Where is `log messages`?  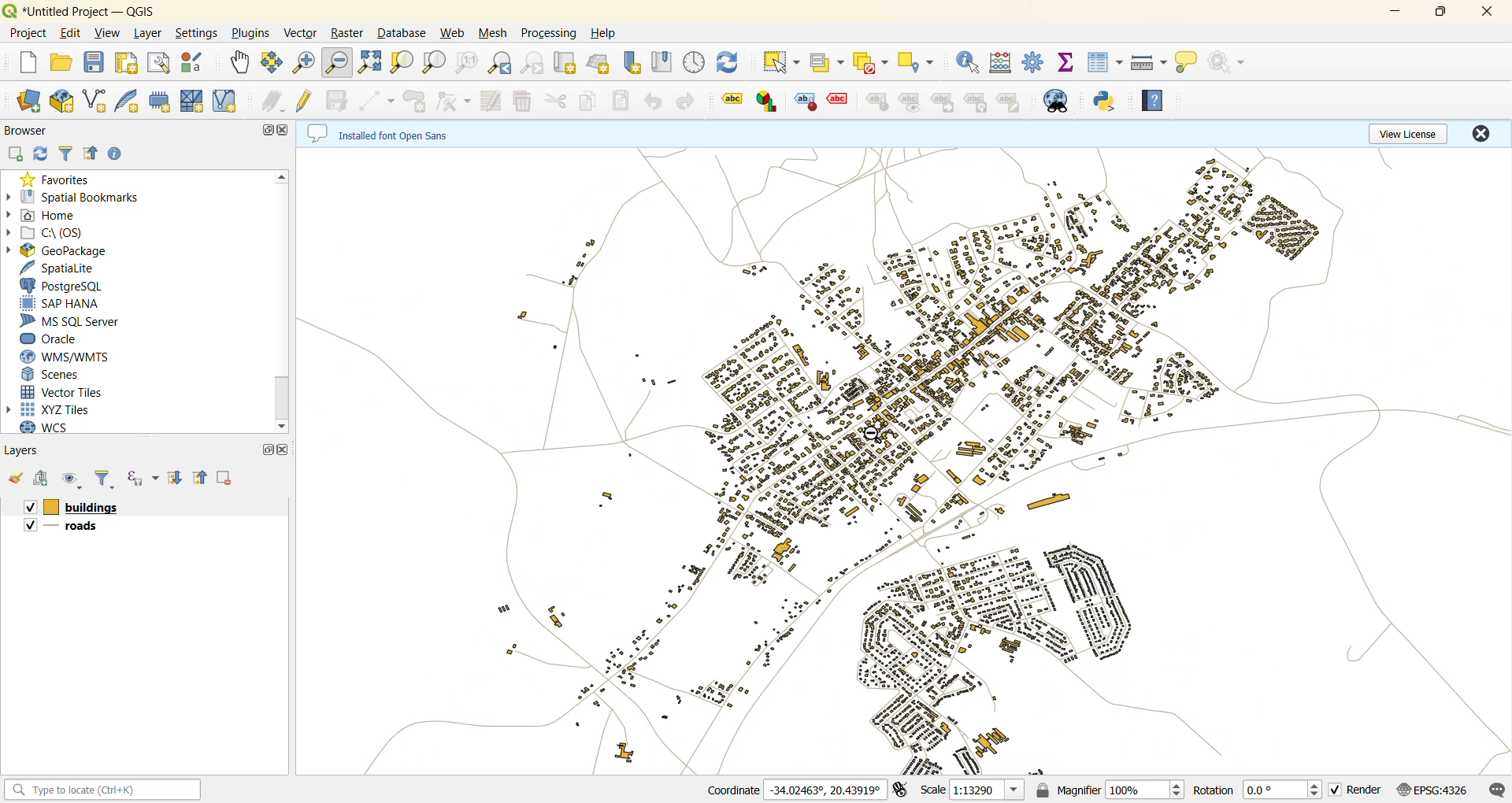
log messages is located at coordinates (1497, 790).